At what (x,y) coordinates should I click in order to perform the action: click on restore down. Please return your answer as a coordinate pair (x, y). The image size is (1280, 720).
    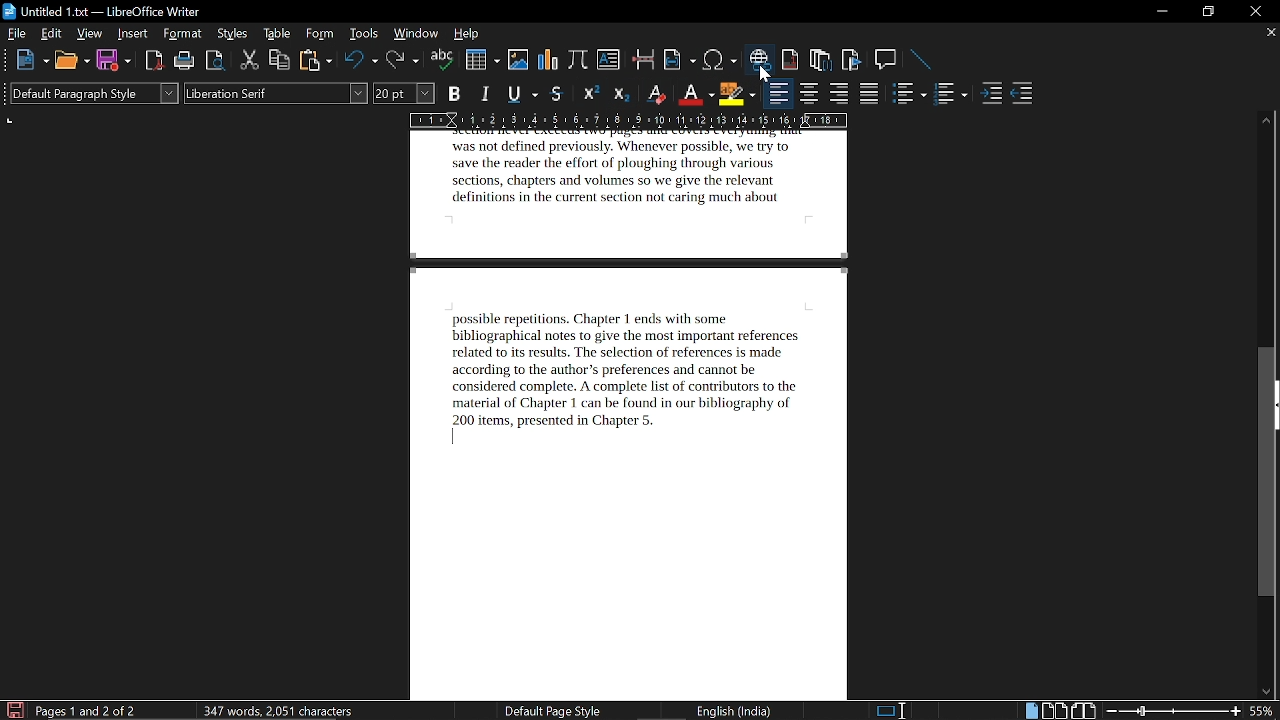
    Looking at the image, I should click on (1206, 12).